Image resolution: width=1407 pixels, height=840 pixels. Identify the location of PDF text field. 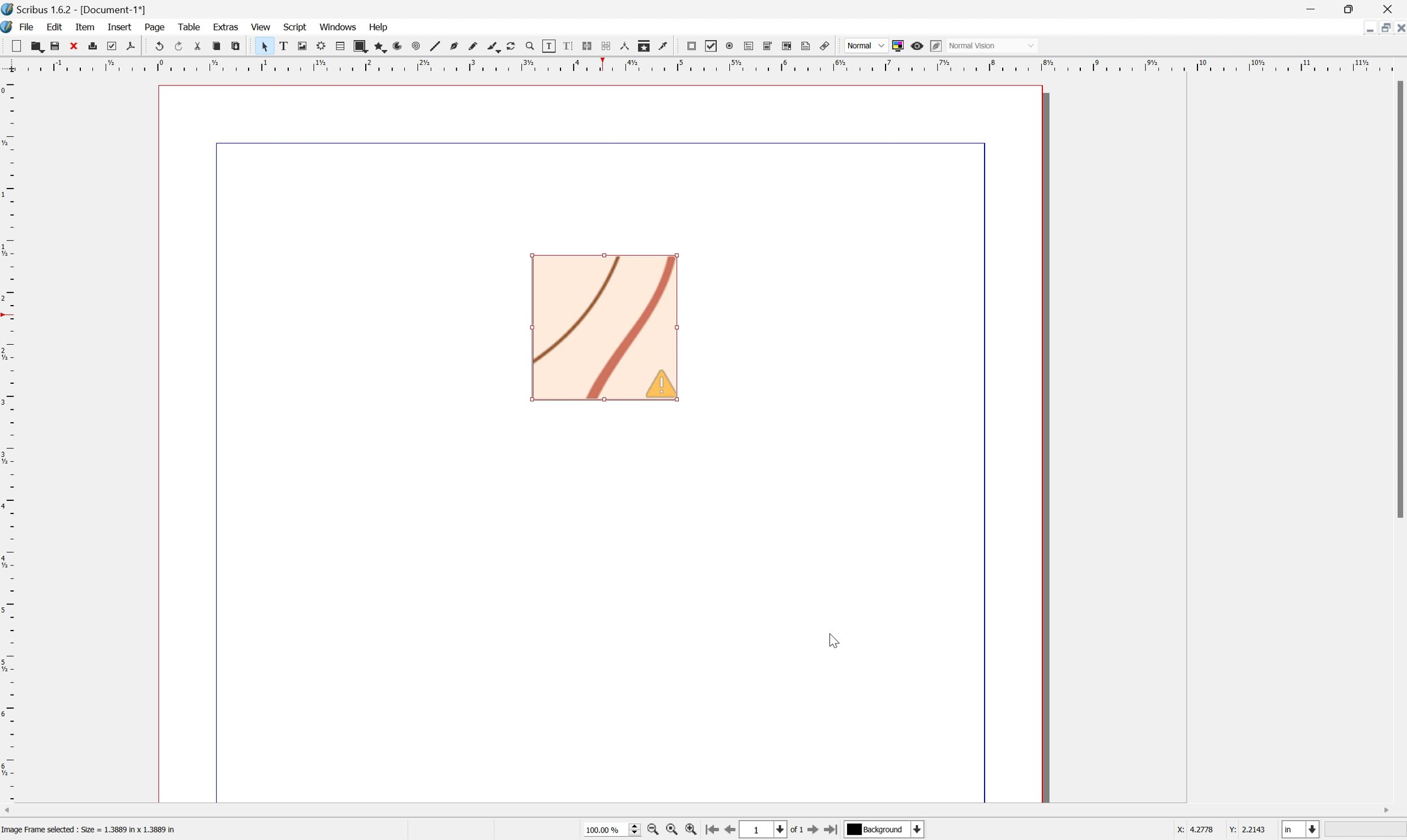
(747, 47).